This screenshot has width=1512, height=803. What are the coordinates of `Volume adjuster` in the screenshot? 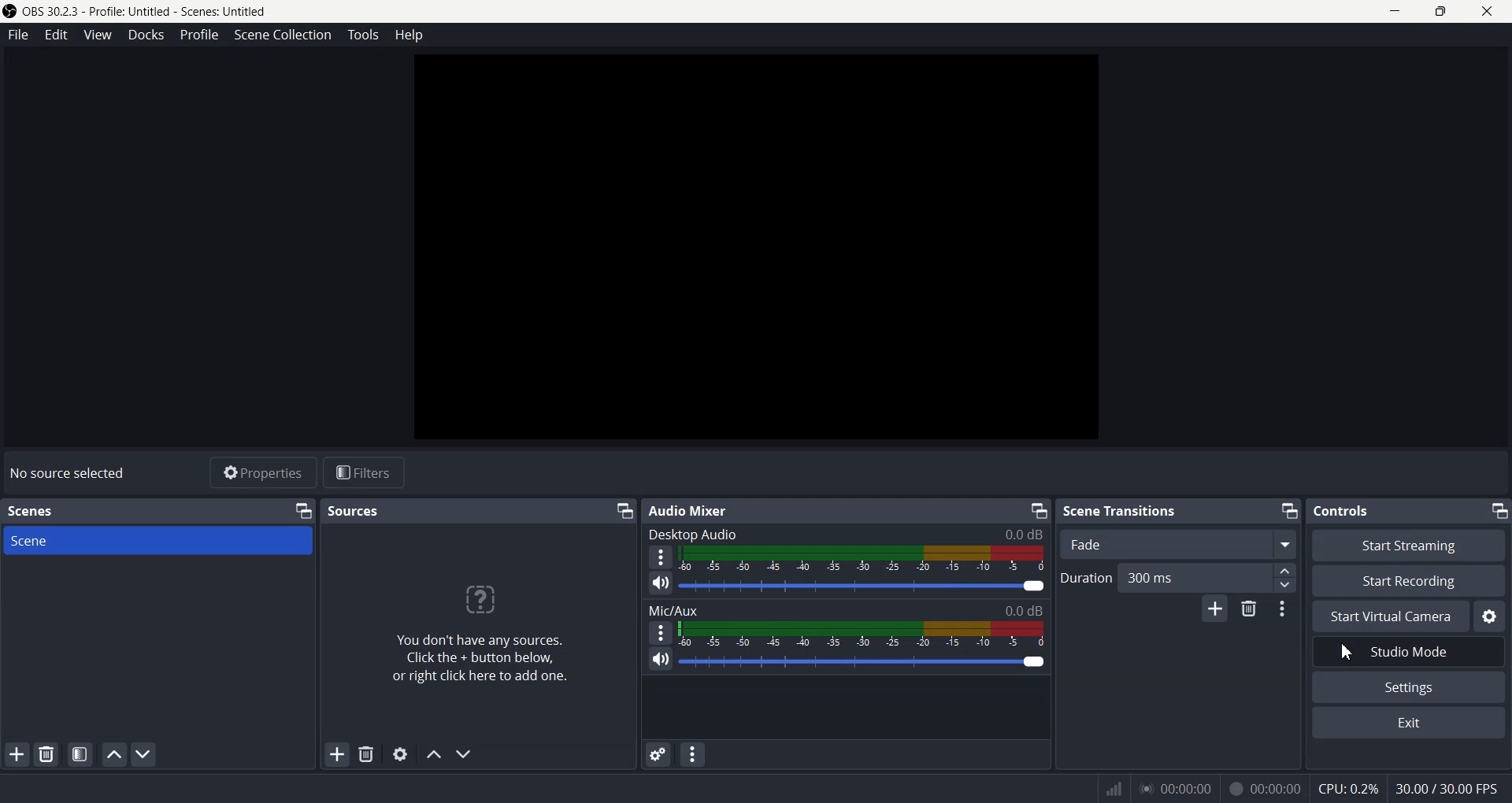 It's located at (865, 587).